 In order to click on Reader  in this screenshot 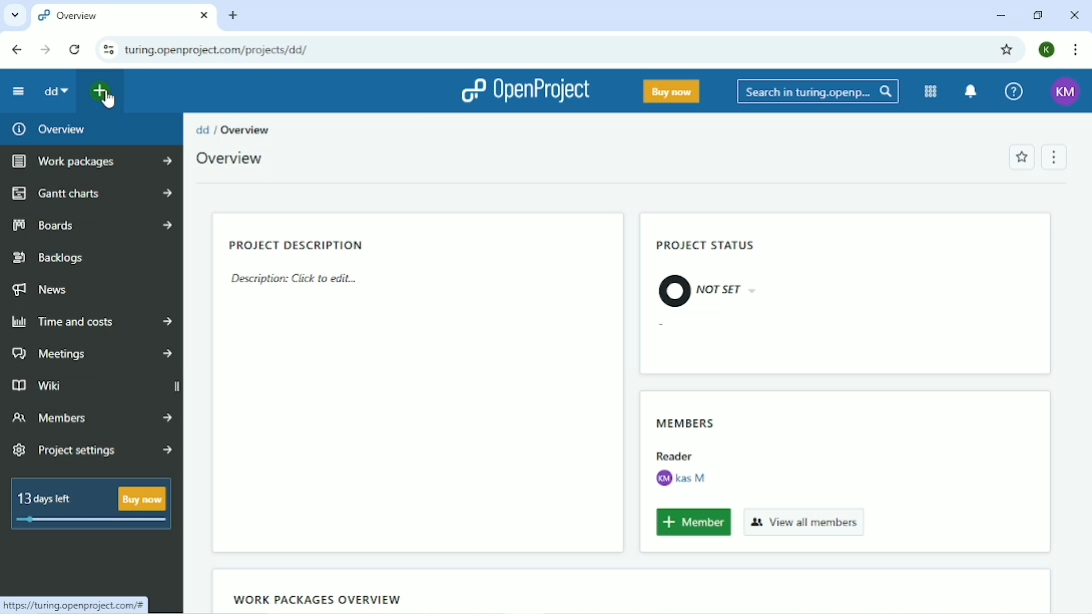, I will do `click(683, 454)`.